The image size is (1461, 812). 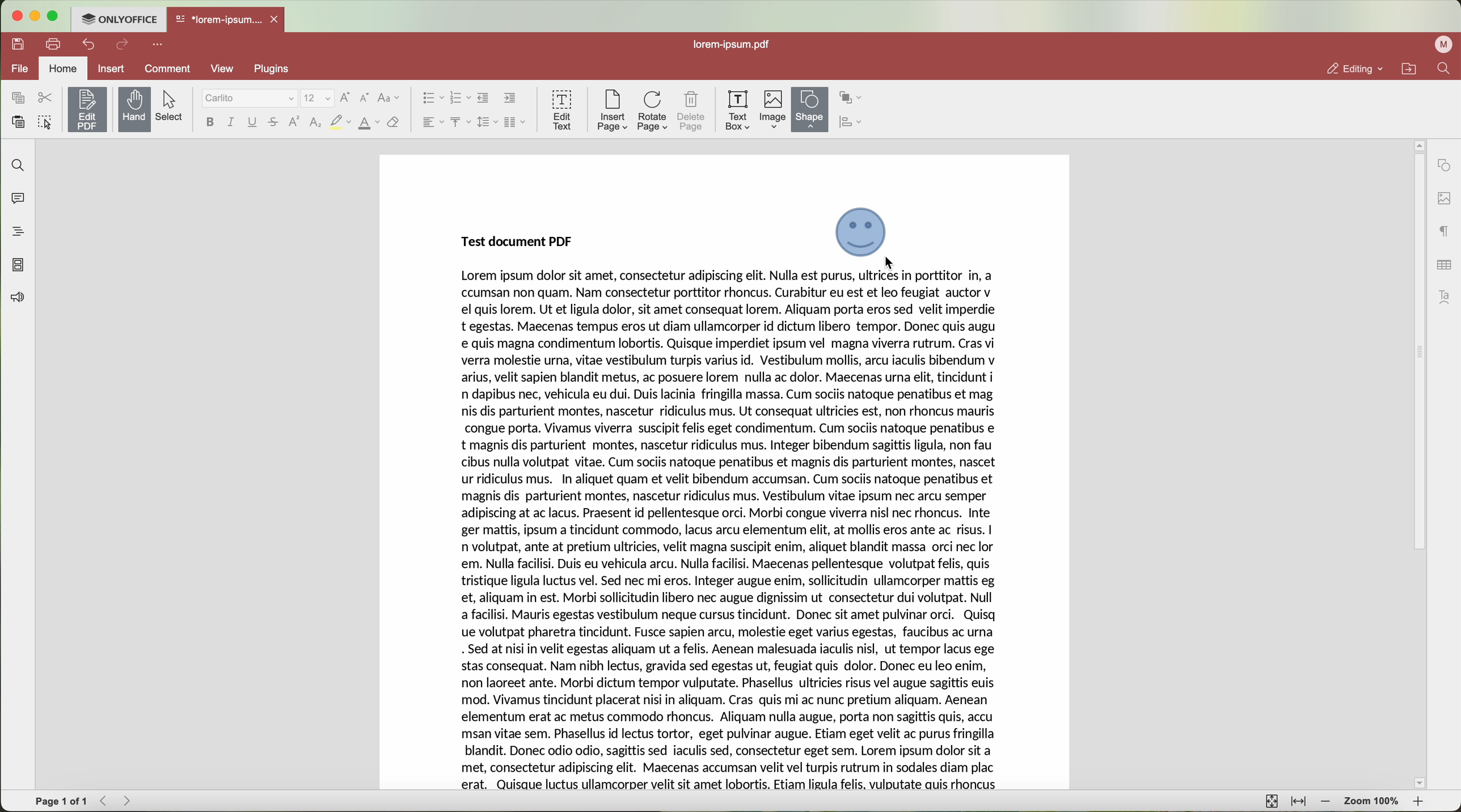 I want to click on increment font size, so click(x=348, y=96).